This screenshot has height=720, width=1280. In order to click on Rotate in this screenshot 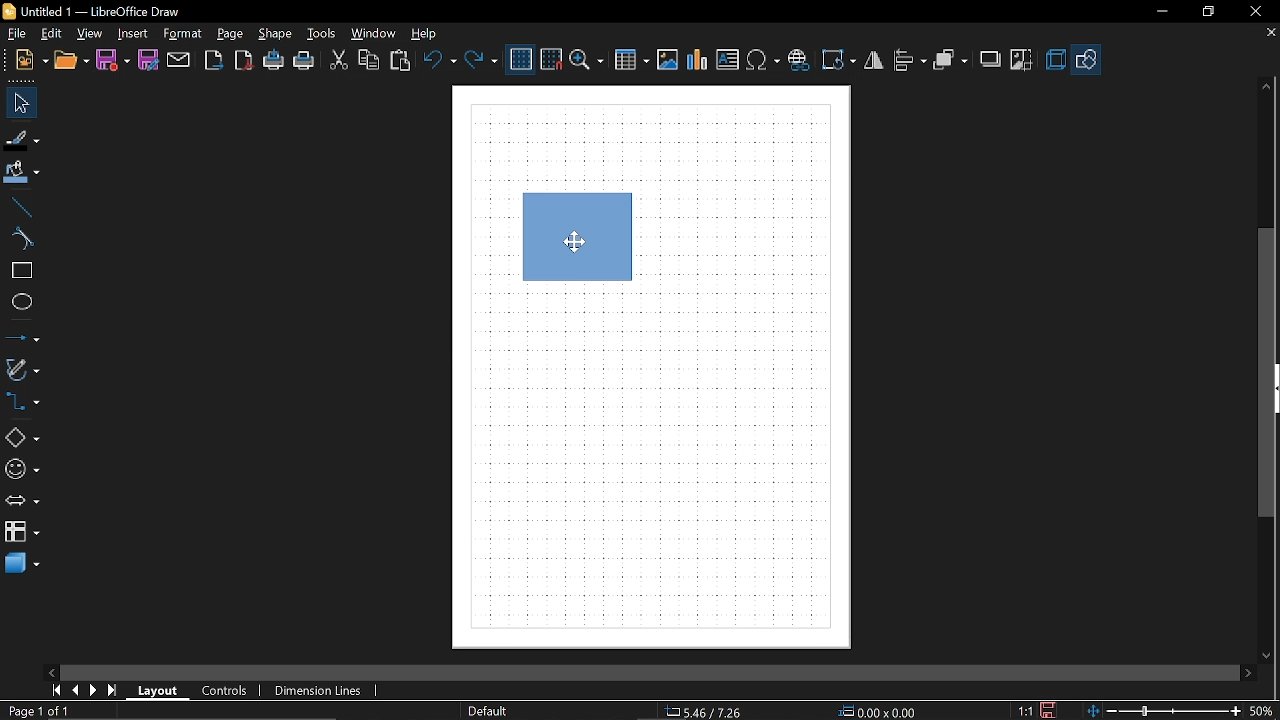, I will do `click(838, 60)`.